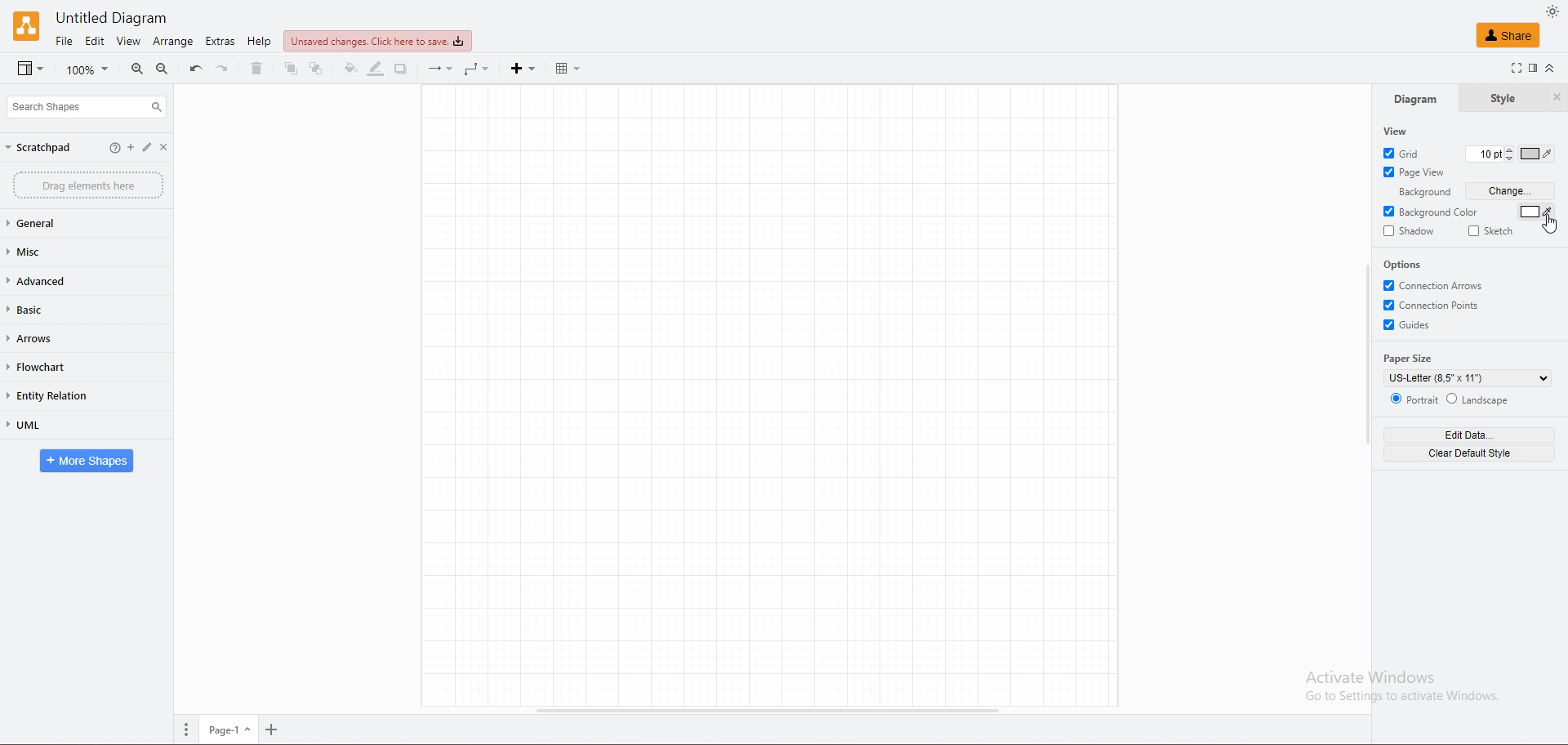 This screenshot has height=745, width=1568. Describe the element at coordinates (26, 25) in the screenshot. I see `draw.io logo` at that location.